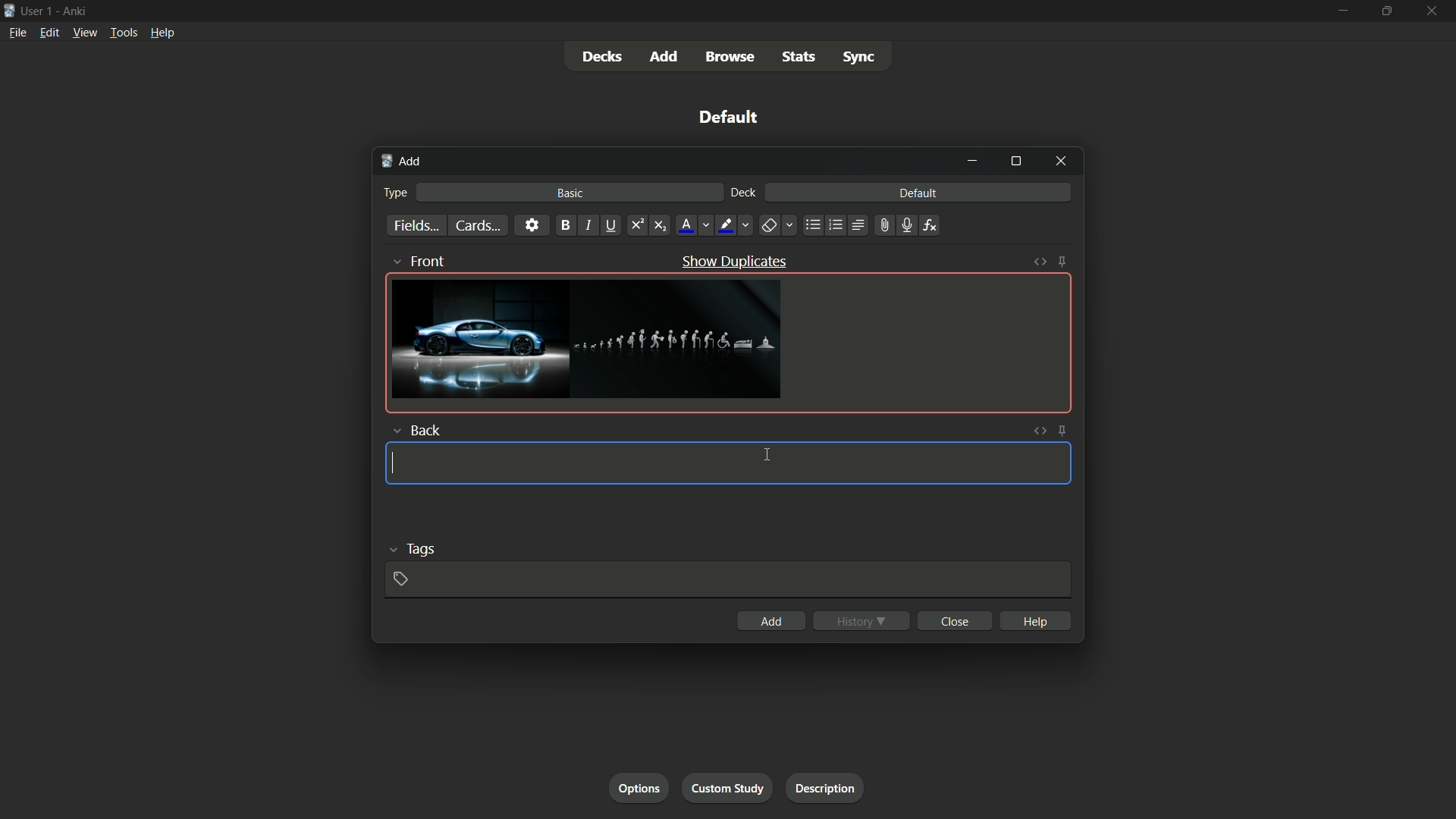 The image size is (1456, 819). What do you see at coordinates (84, 32) in the screenshot?
I see `view menu` at bounding box center [84, 32].